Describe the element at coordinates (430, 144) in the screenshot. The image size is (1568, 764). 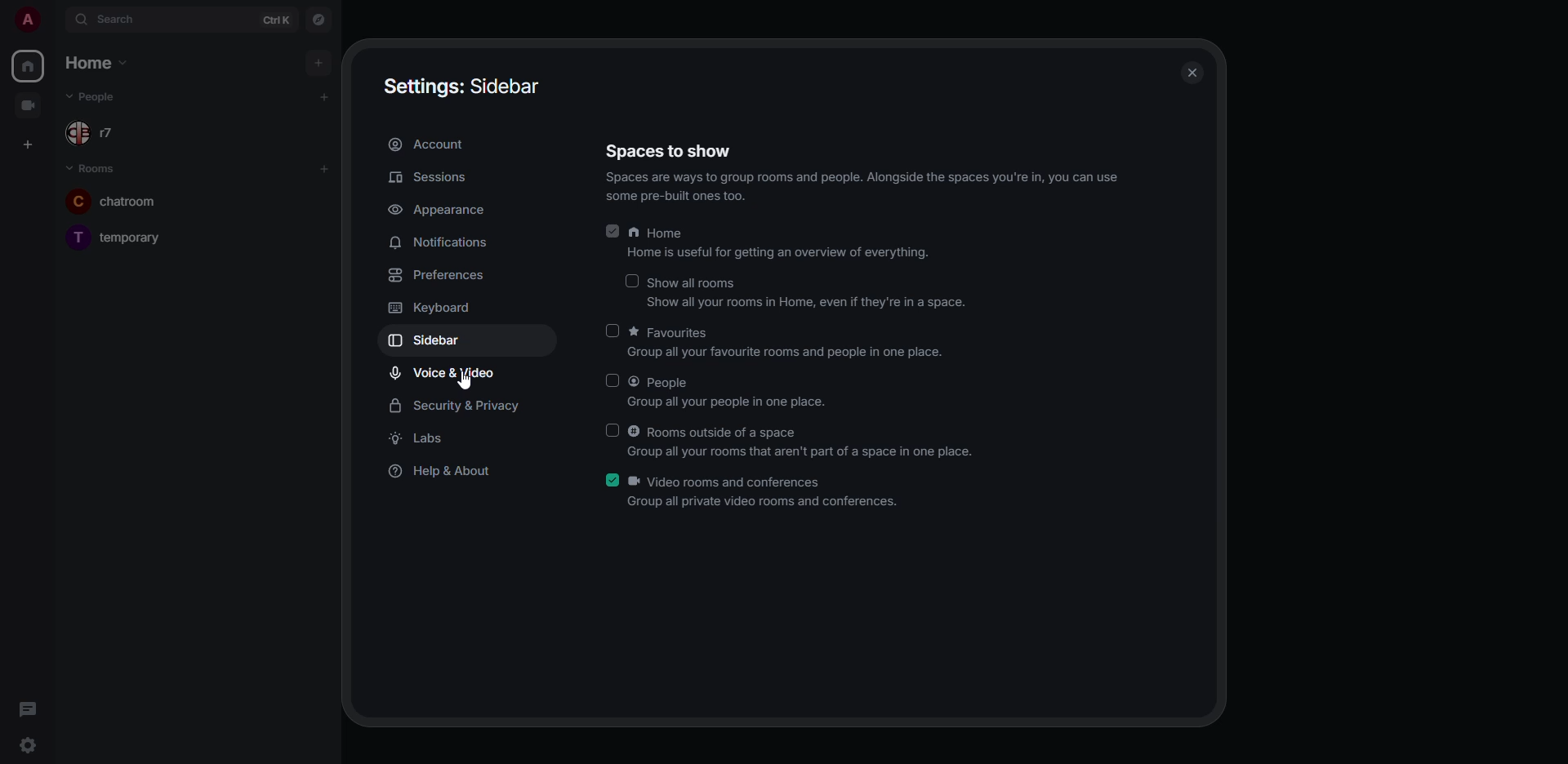
I see `account` at that location.